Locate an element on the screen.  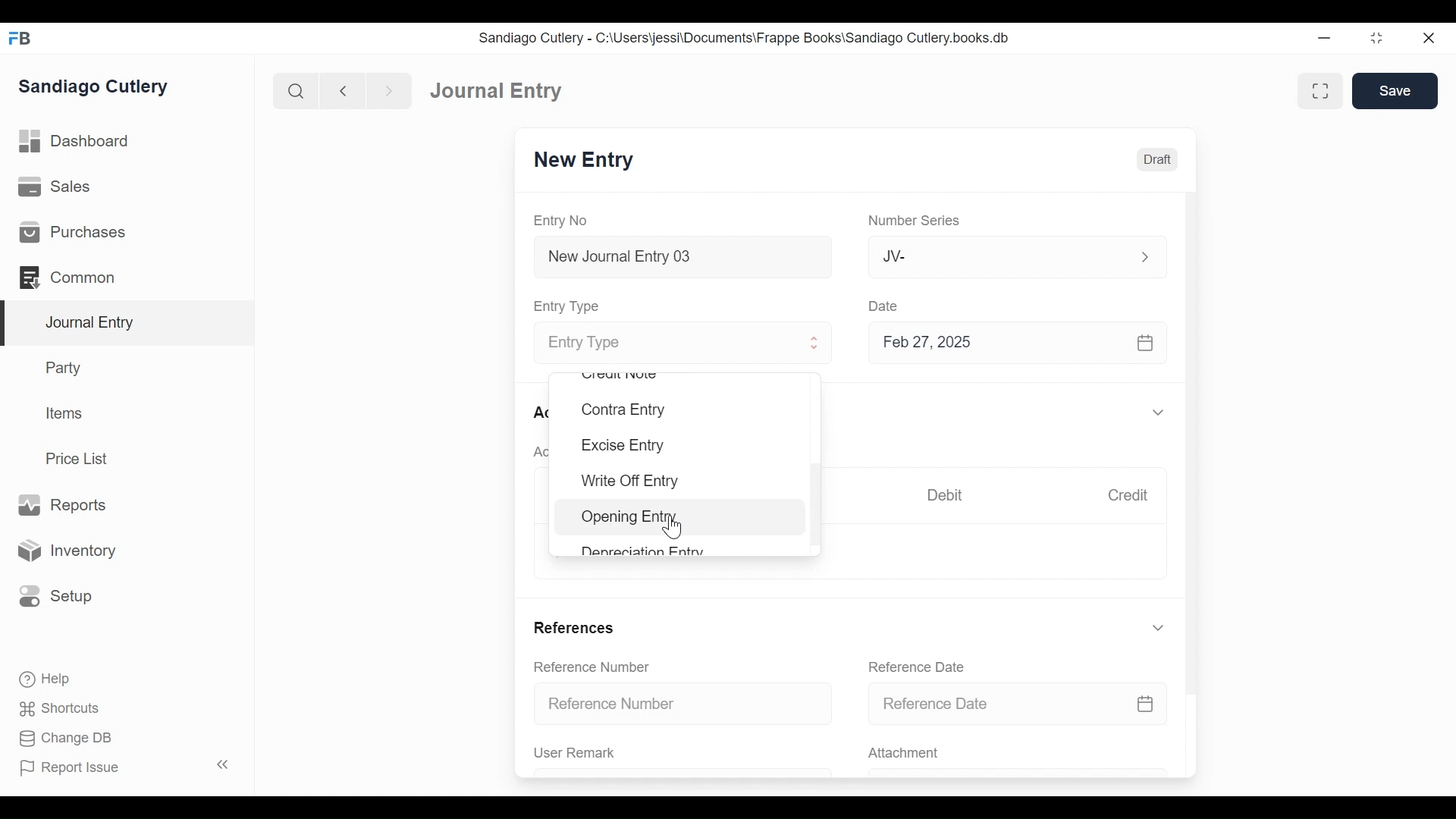
New Journal Entry 03 is located at coordinates (679, 257).